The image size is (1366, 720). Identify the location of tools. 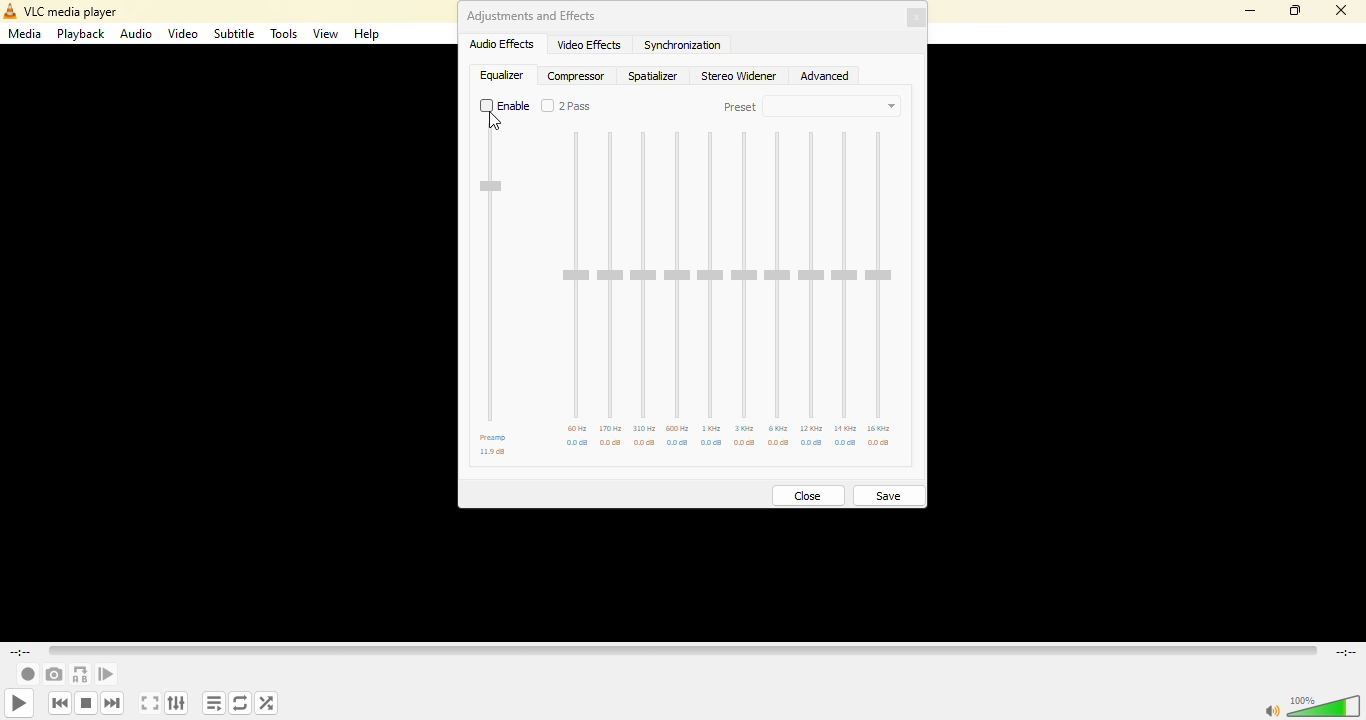
(284, 34).